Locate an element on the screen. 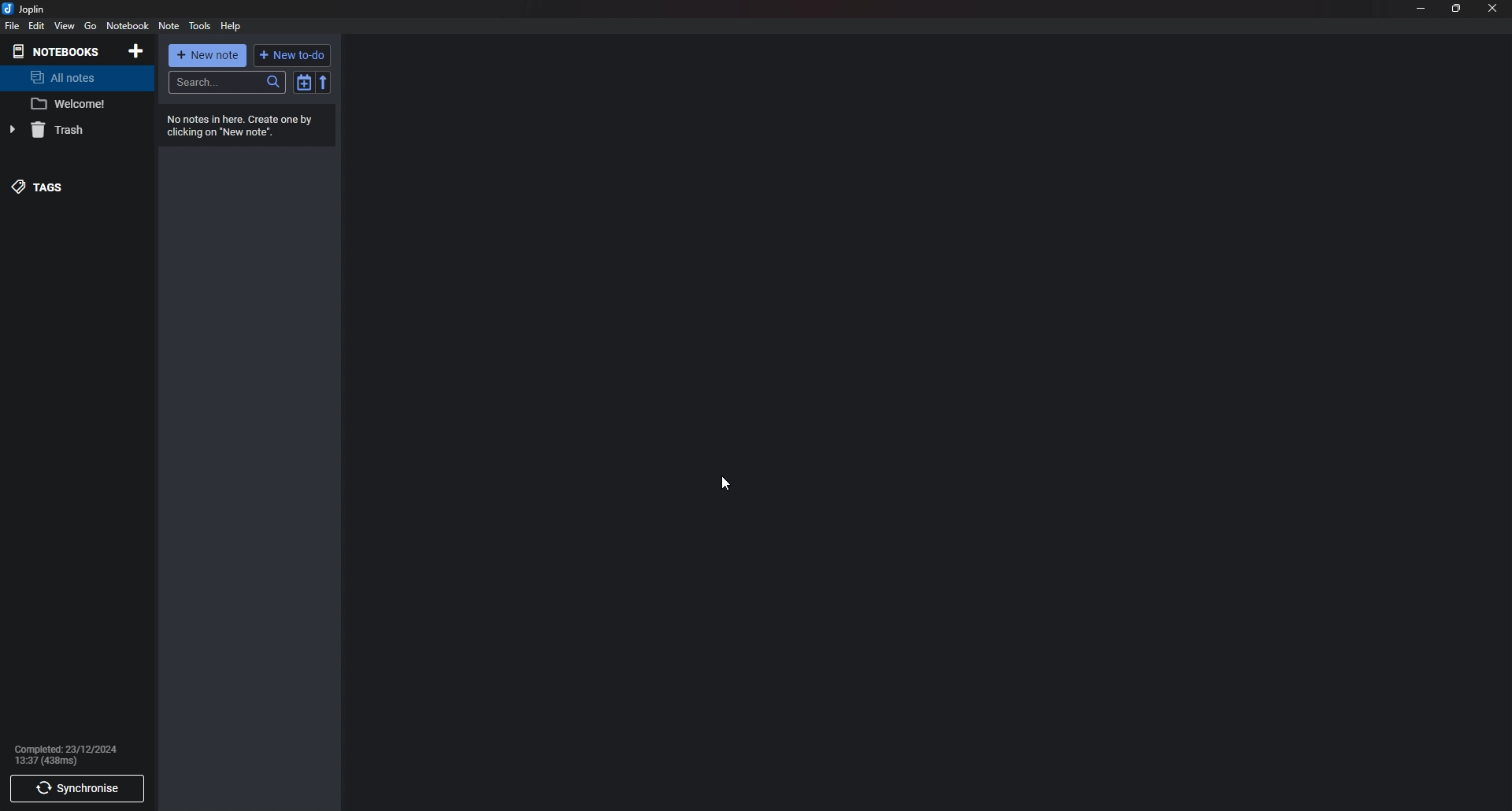  No notes in here. Create one by
clicking on “New note". is located at coordinates (241, 126).